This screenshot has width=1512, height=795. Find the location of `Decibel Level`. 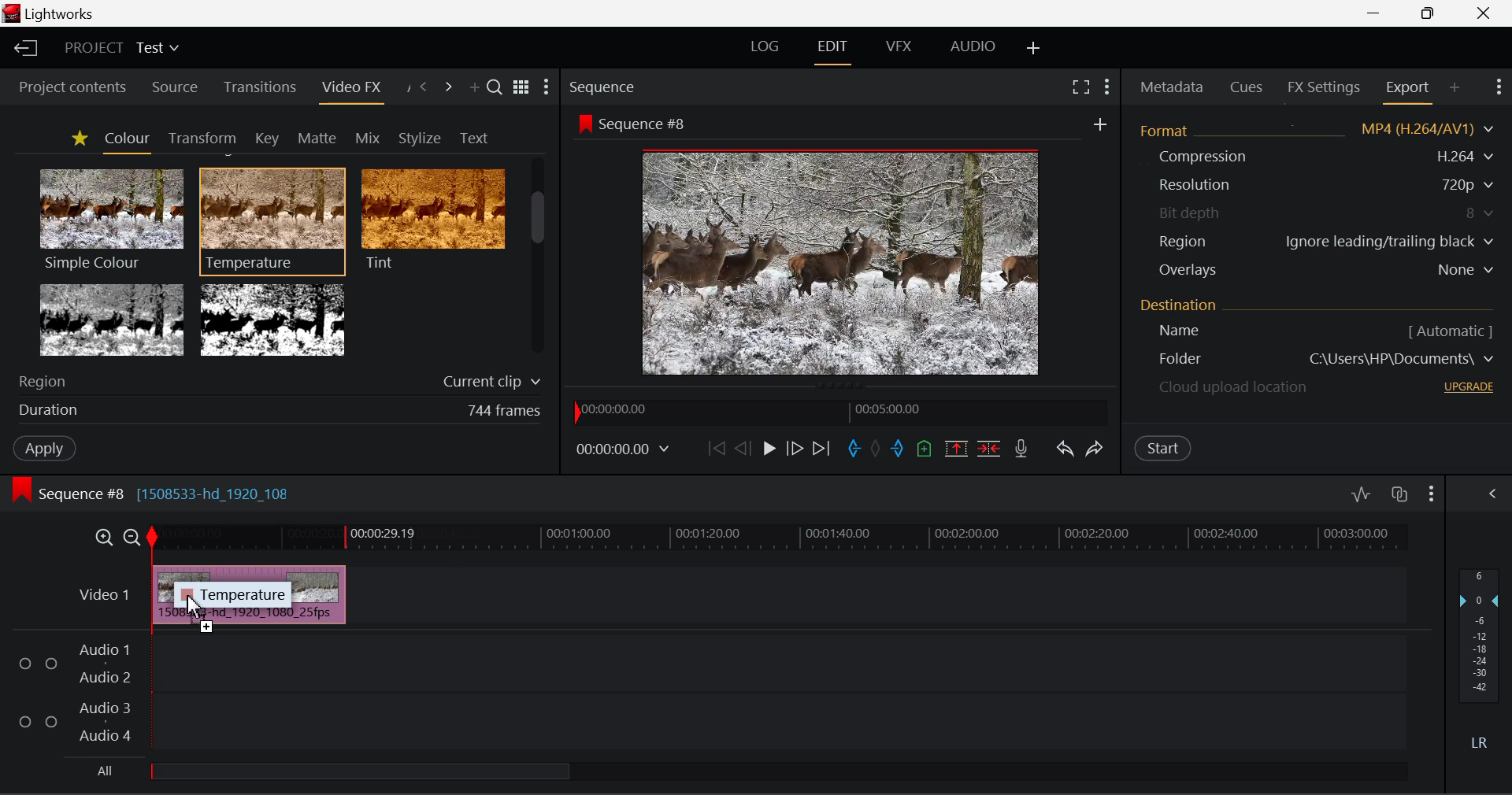

Decibel Level is located at coordinates (1480, 656).